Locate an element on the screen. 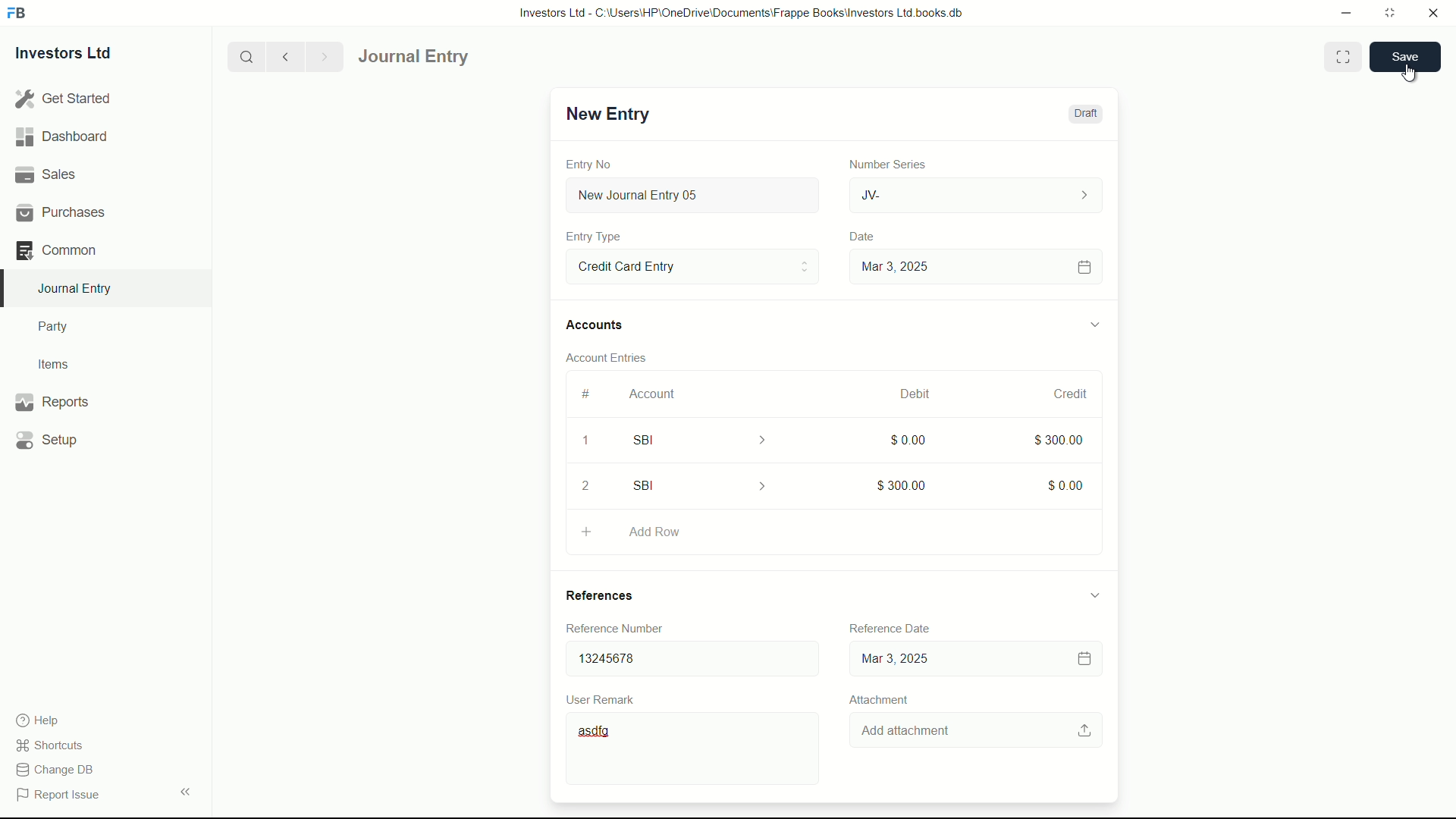 The width and height of the screenshot is (1456, 819). 2 is located at coordinates (591, 485).